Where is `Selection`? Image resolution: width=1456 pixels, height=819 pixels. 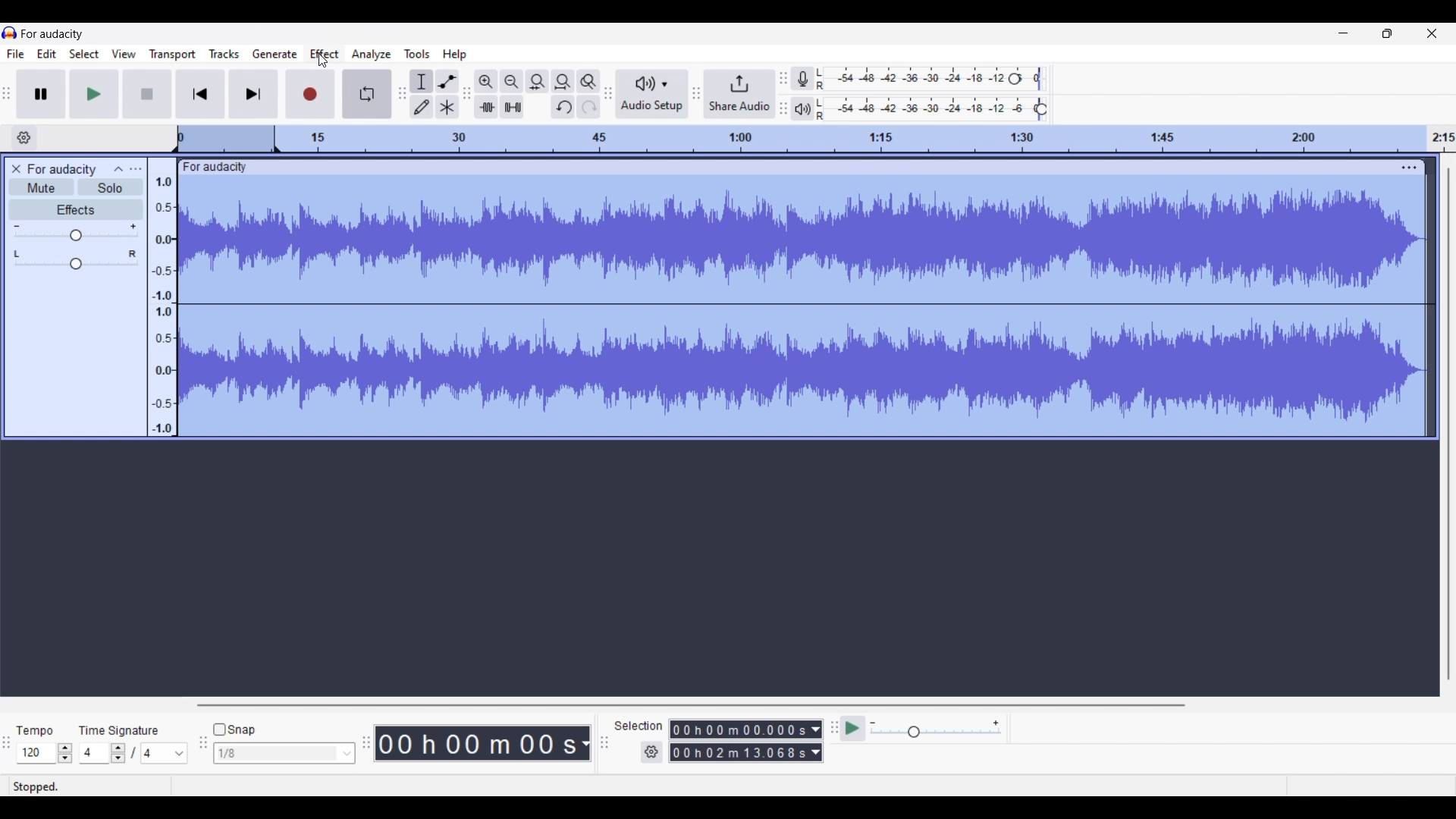
Selection is located at coordinates (639, 727).